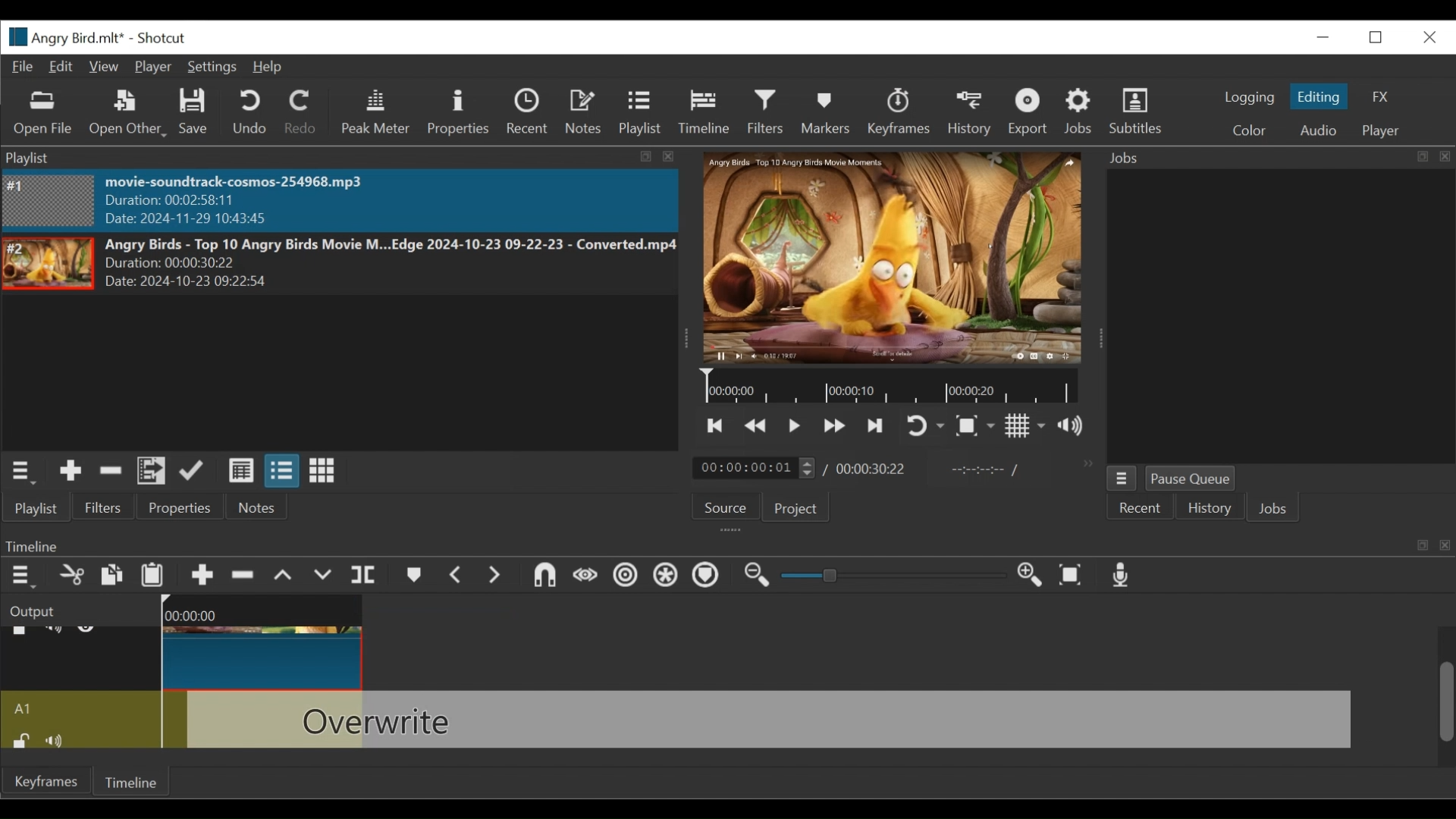 The height and width of the screenshot is (819, 1456). I want to click on Editing, so click(1319, 97).